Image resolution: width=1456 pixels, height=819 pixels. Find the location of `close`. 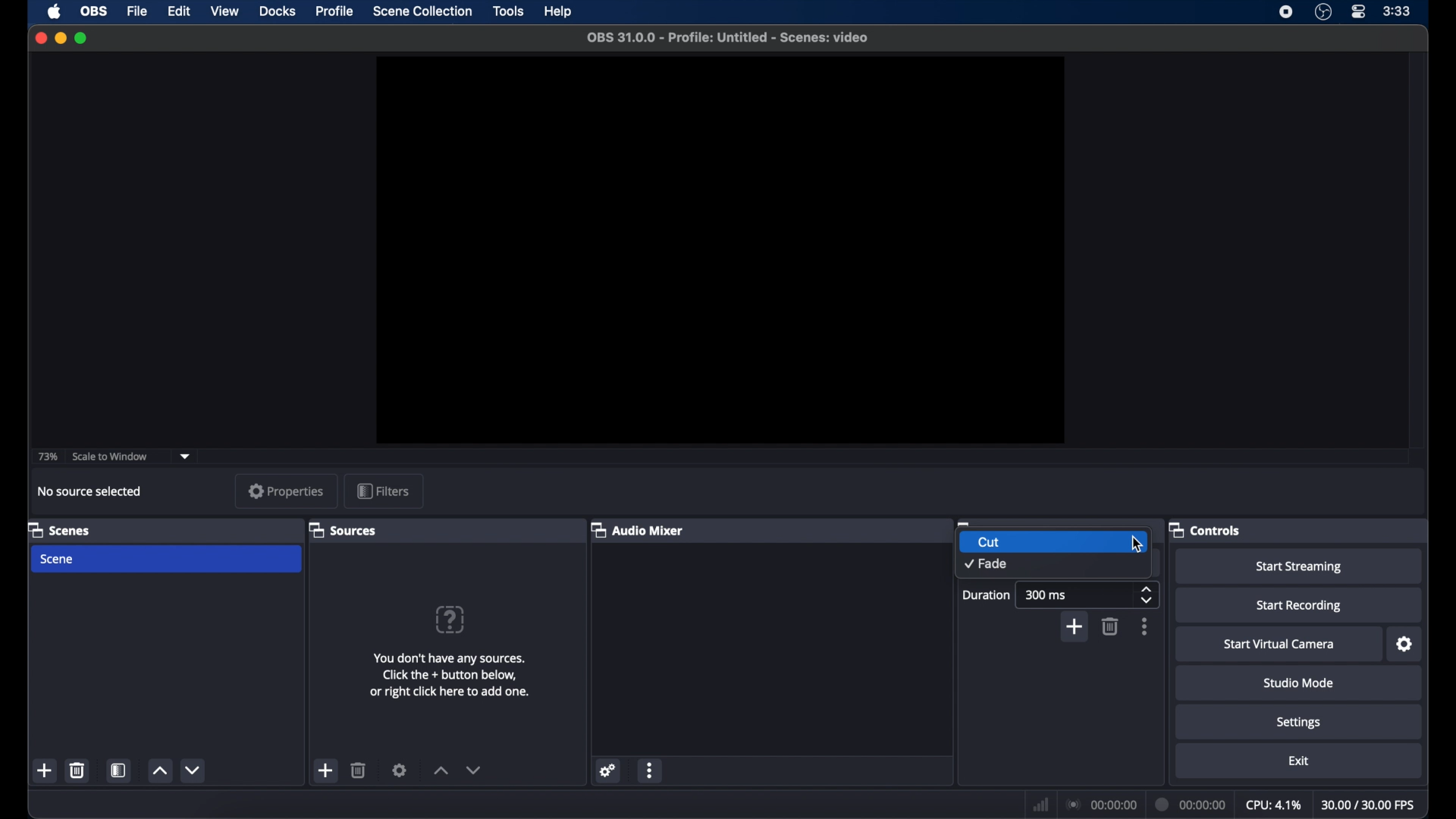

close is located at coordinates (40, 38).